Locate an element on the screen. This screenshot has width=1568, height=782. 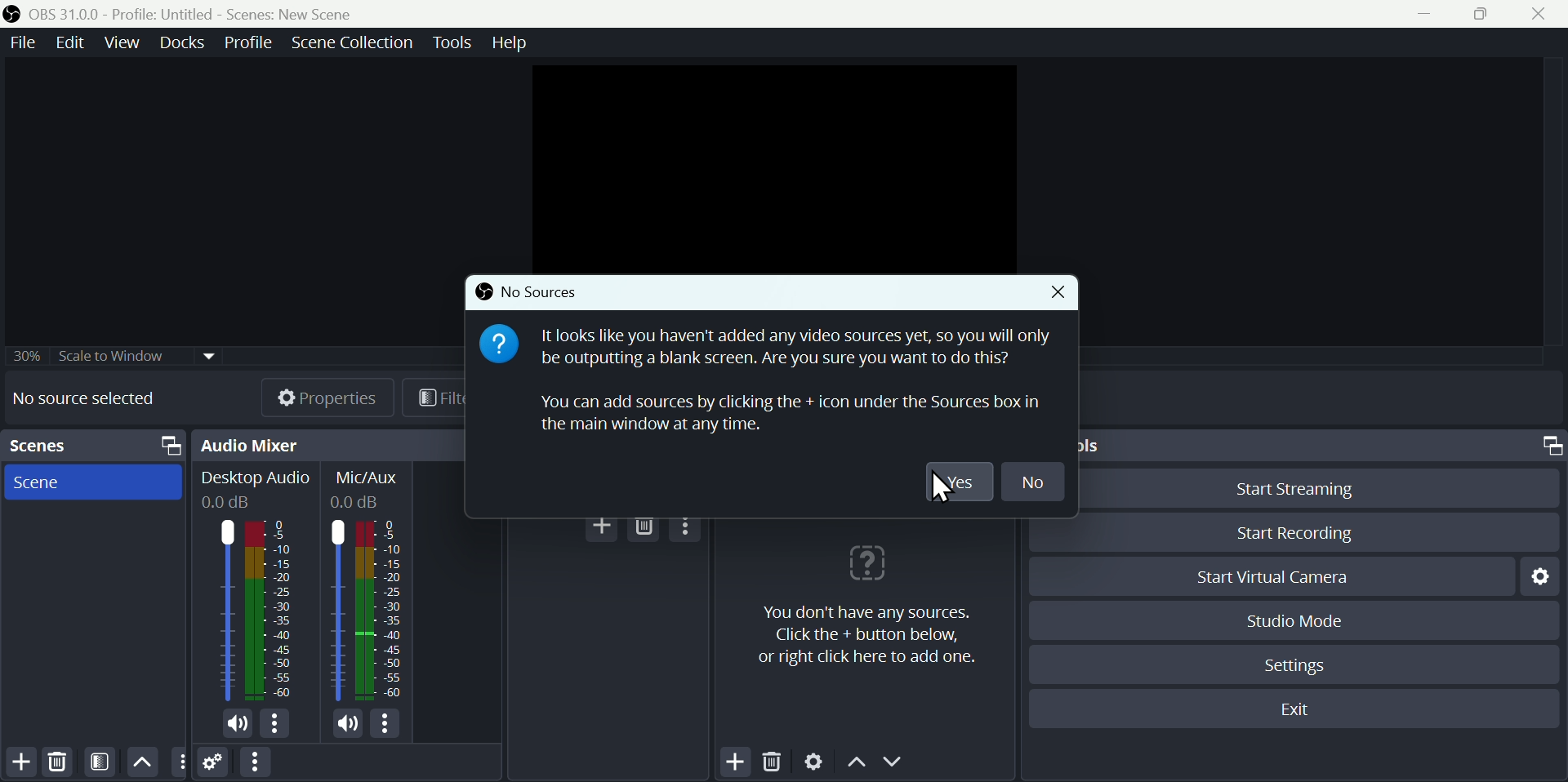
Delete is located at coordinates (770, 762).